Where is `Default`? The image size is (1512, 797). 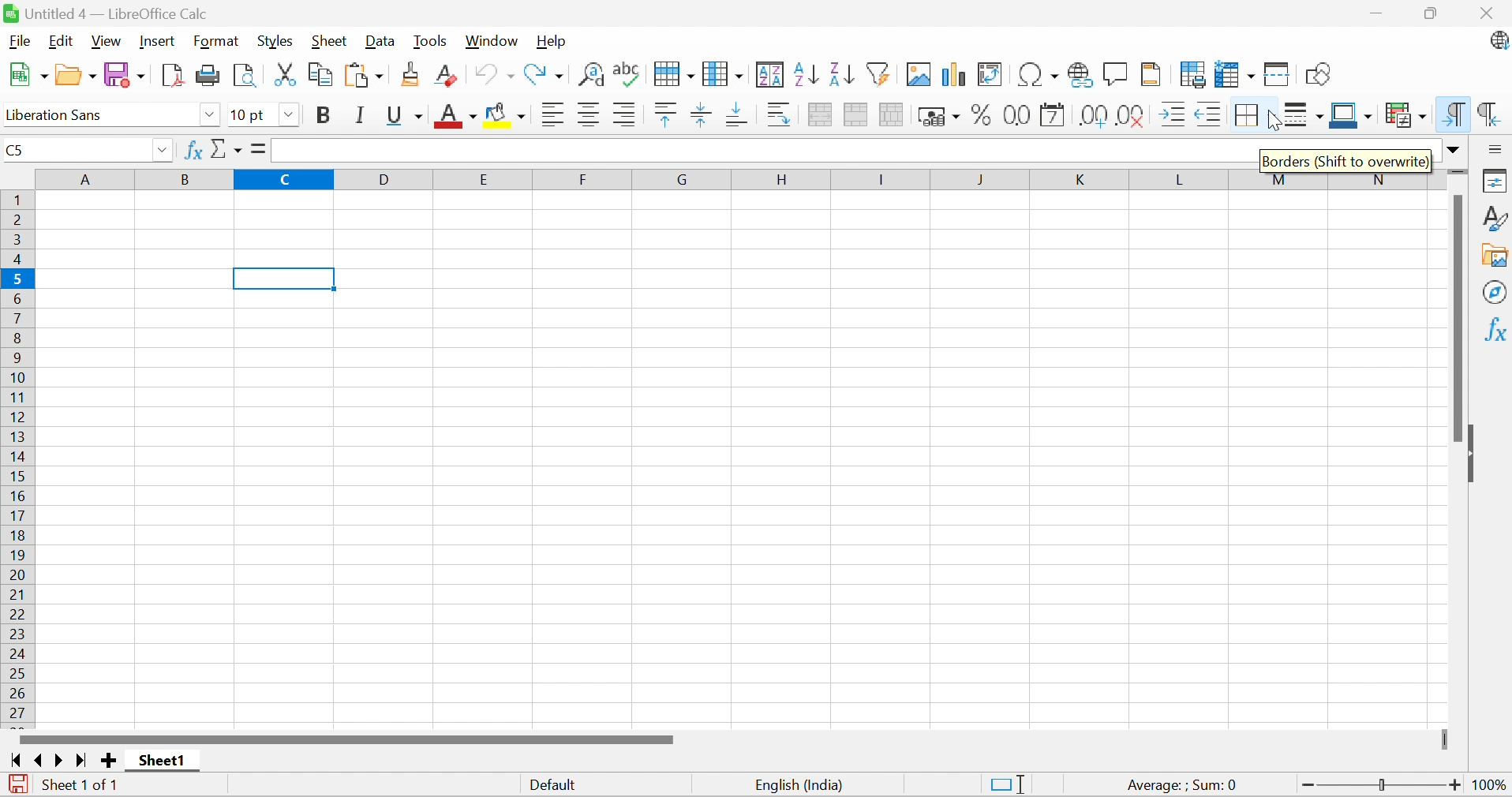
Default is located at coordinates (556, 787).